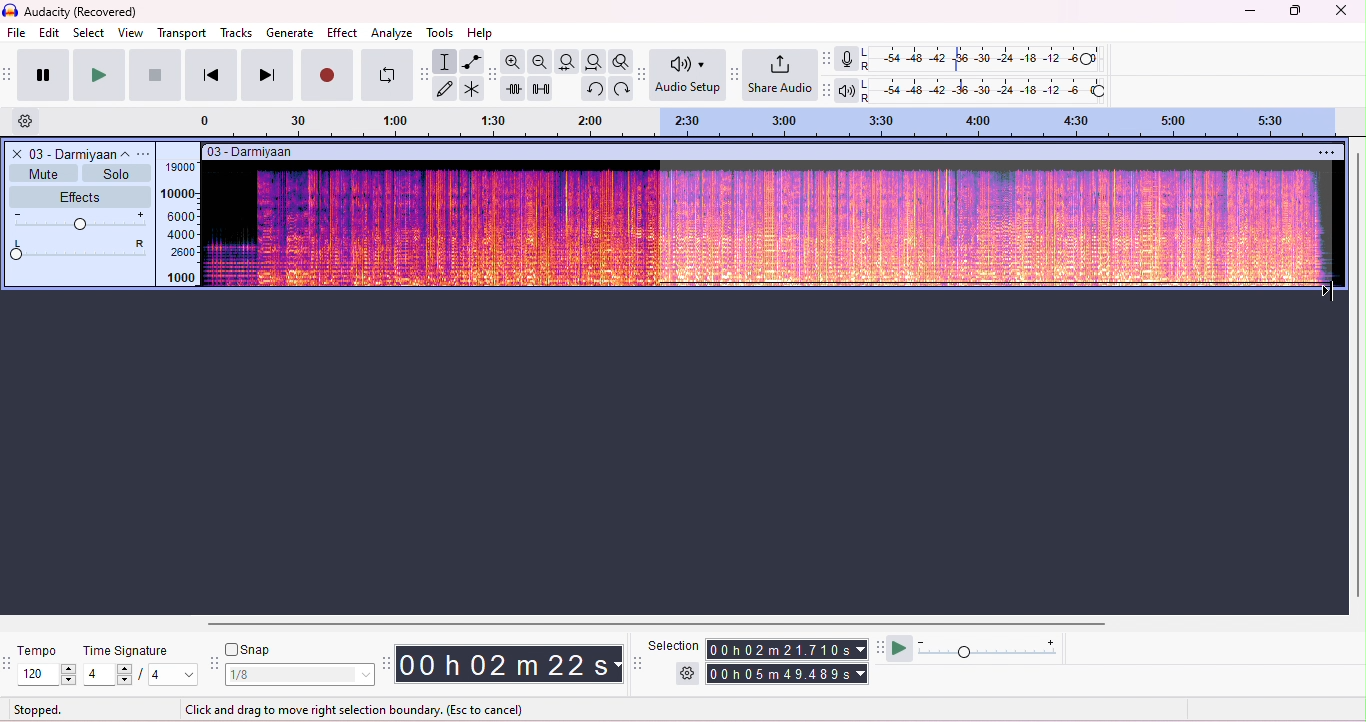 Image resolution: width=1366 pixels, height=722 pixels. What do you see at coordinates (785, 650) in the screenshot?
I see `total time` at bounding box center [785, 650].